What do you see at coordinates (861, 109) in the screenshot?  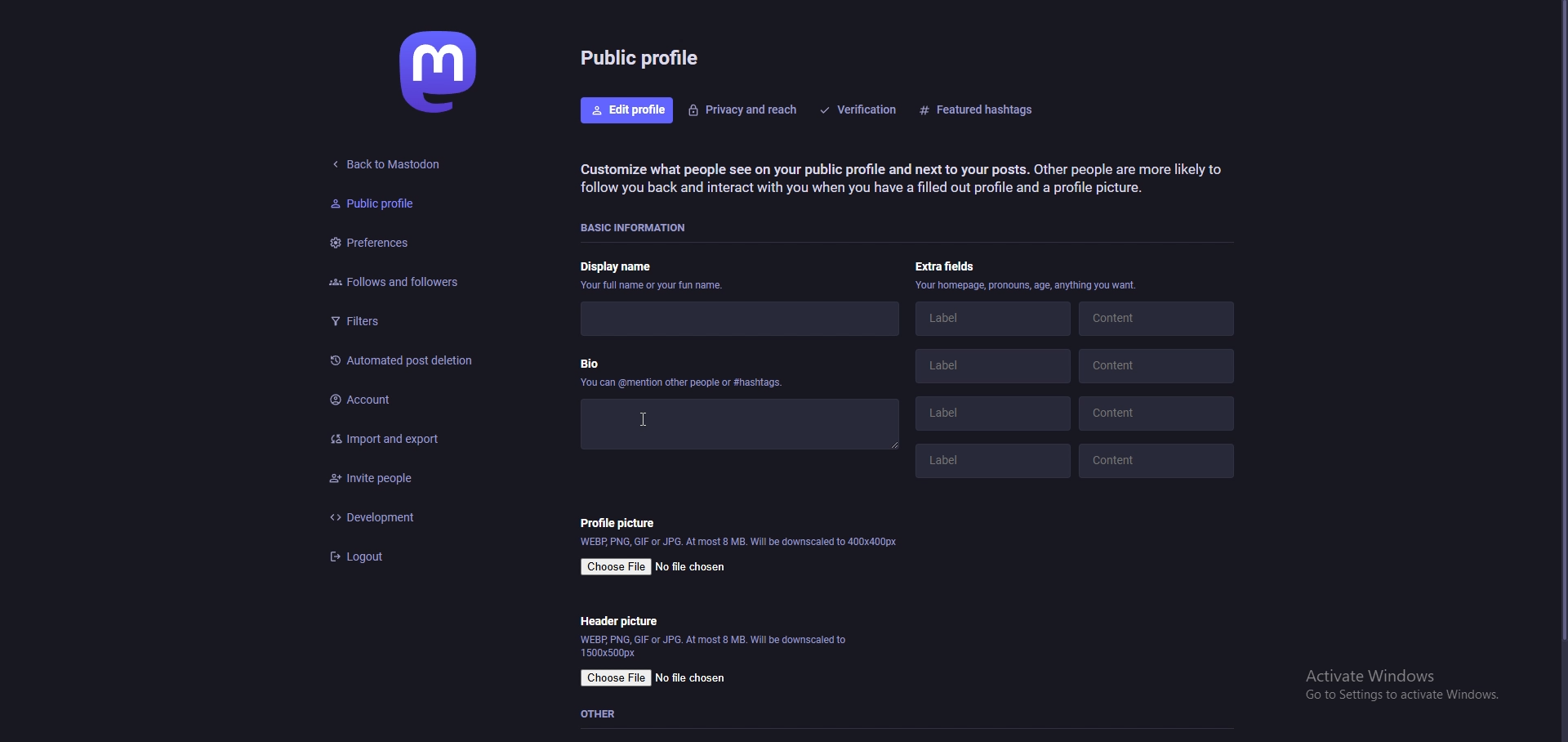 I see `verification` at bounding box center [861, 109].